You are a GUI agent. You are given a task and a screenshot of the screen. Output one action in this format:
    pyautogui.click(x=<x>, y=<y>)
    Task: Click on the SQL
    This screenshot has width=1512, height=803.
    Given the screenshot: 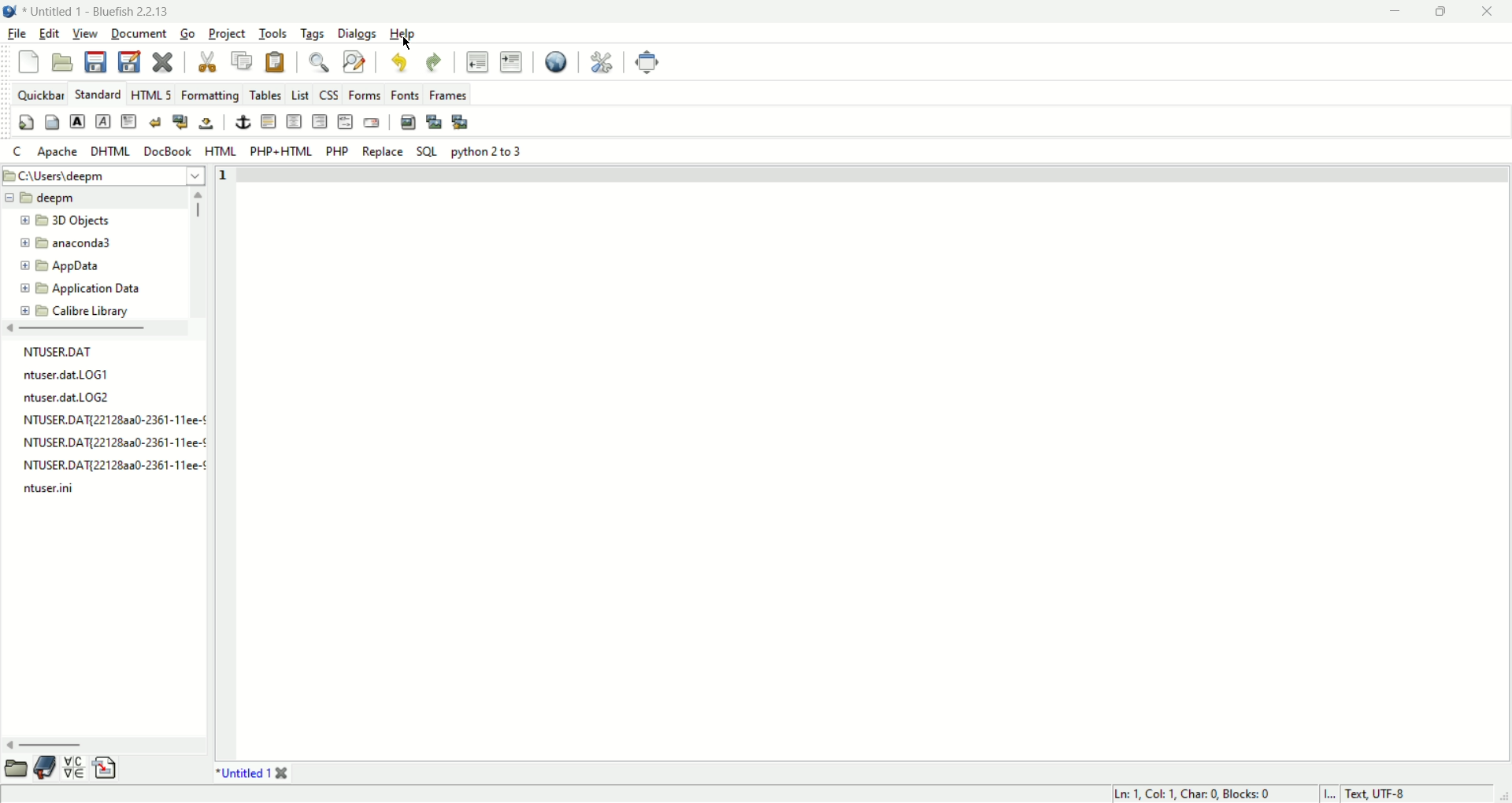 What is the action you would take?
    pyautogui.click(x=426, y=151)
    